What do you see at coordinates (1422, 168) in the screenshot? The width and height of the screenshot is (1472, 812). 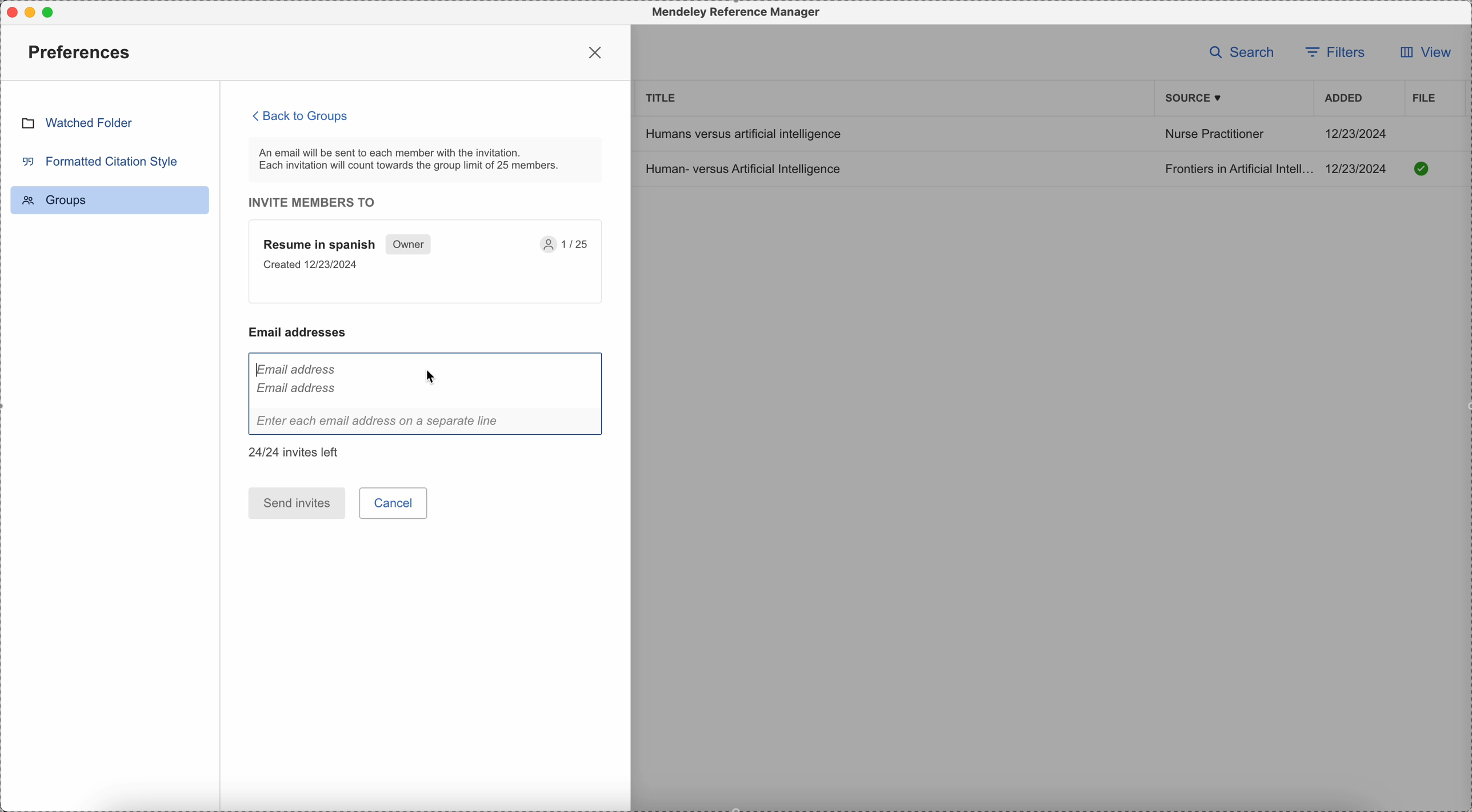 I see `Checkmark` at bounding box center [1422, 168].